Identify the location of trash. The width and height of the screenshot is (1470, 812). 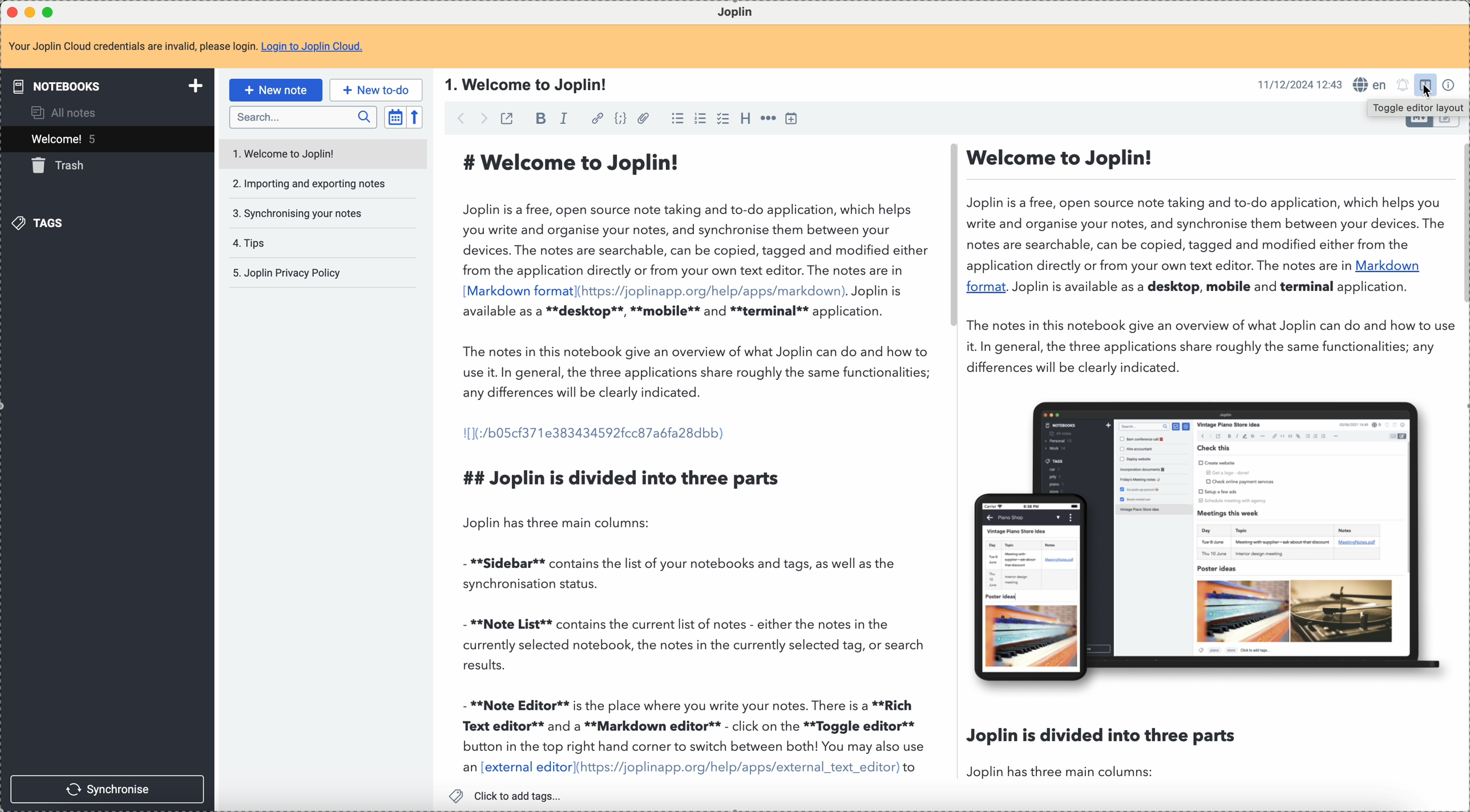
(58, 168).